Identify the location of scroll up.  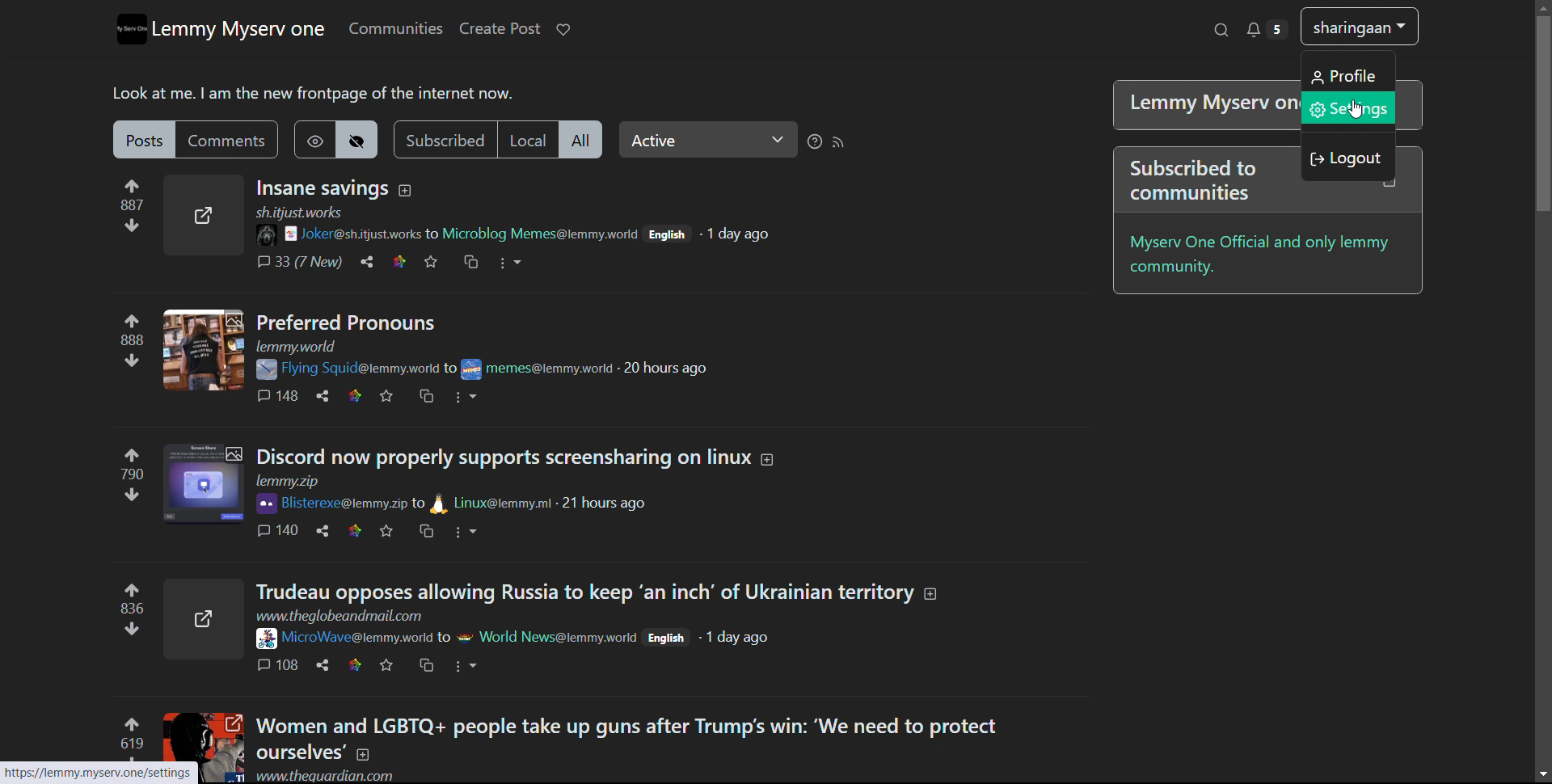
(1542, 6).